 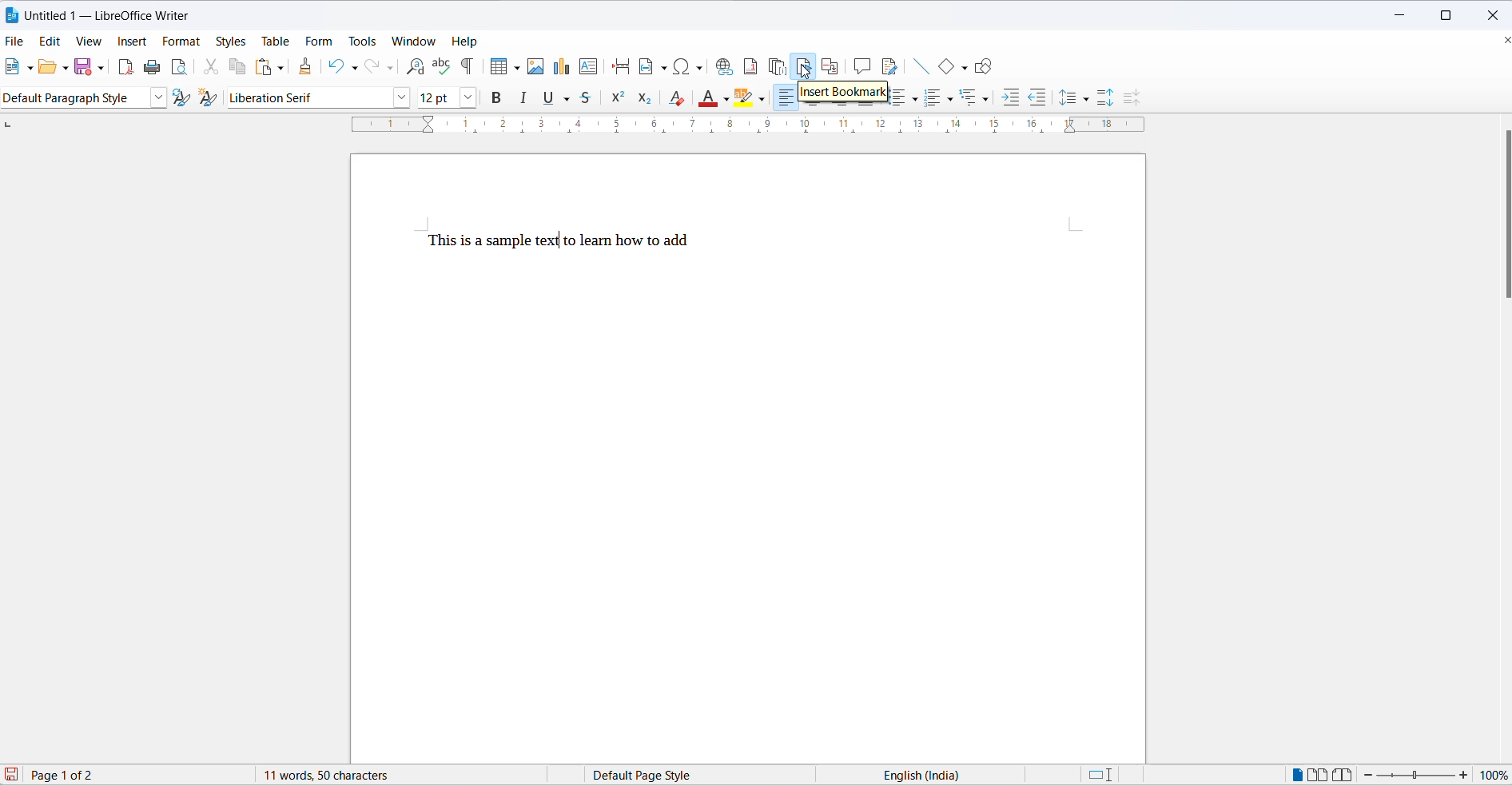 What do you see at coordinates (751, 66) in the screenshot?
I see `insert footnote` at bounding box center [751, 66].